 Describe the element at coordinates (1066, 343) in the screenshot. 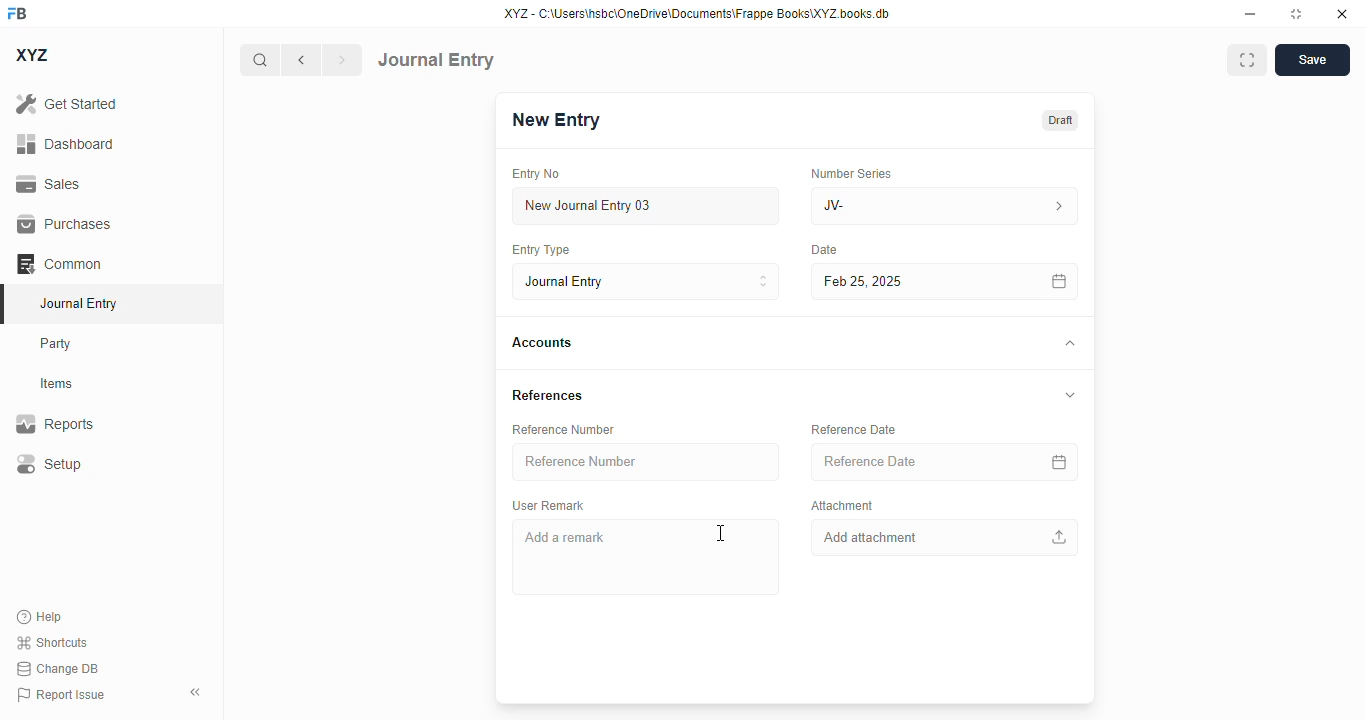

I see `toggle expand/collapse` at that location.